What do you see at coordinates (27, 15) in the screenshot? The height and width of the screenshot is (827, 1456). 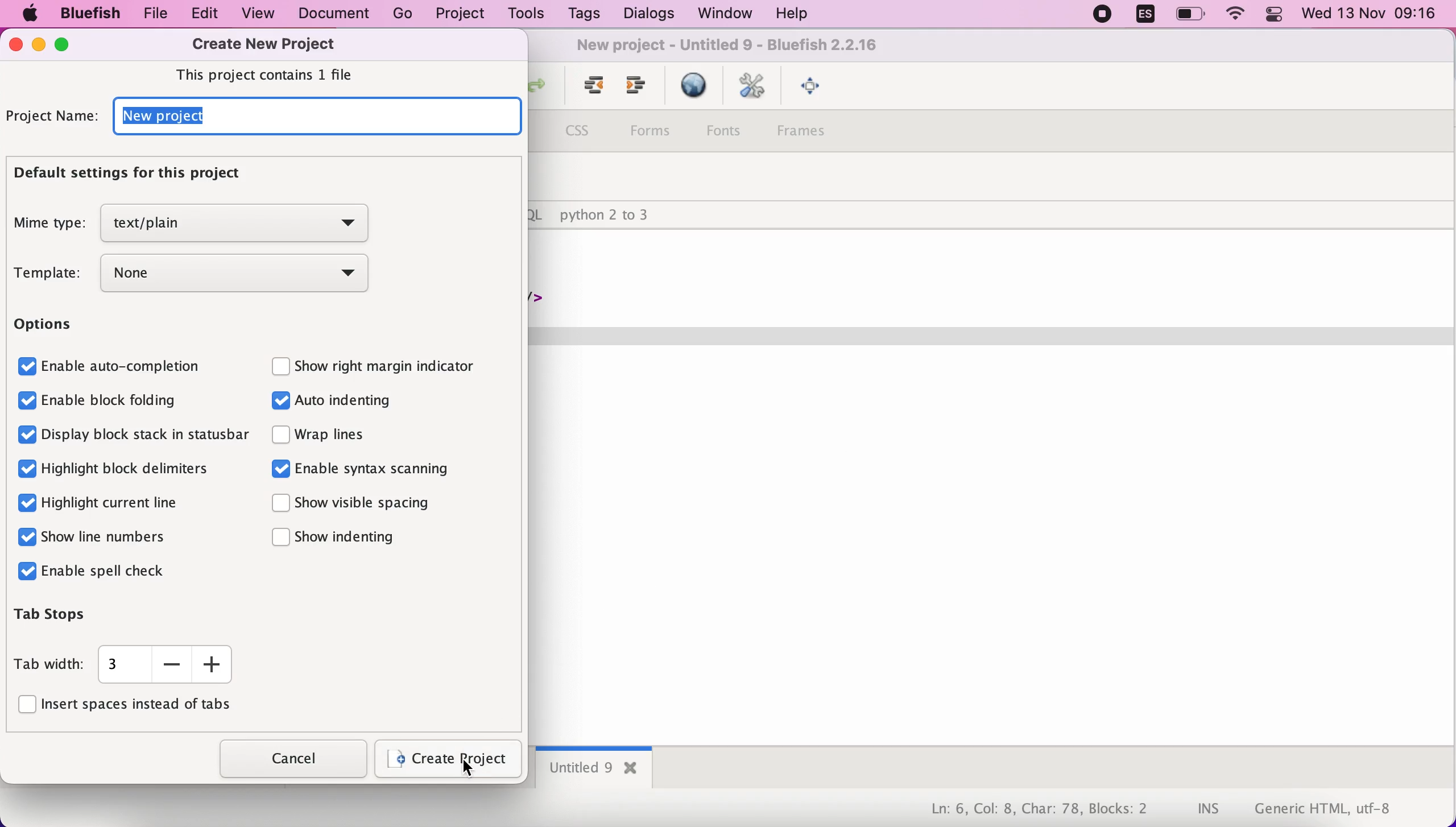 I see `mac logo` at bounding box center [27, 15].